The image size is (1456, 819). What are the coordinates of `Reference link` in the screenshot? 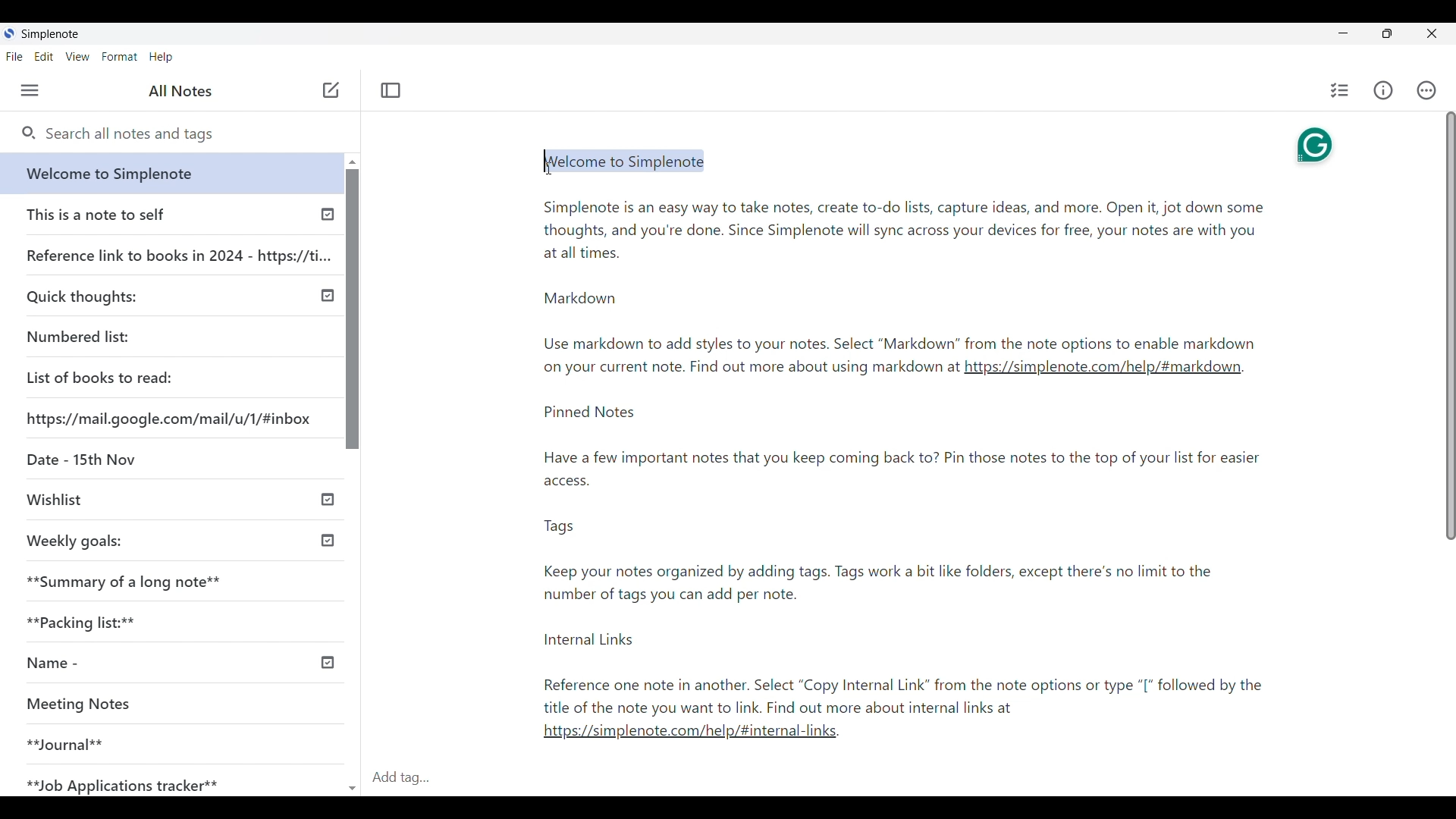 It's located at (179, 253).